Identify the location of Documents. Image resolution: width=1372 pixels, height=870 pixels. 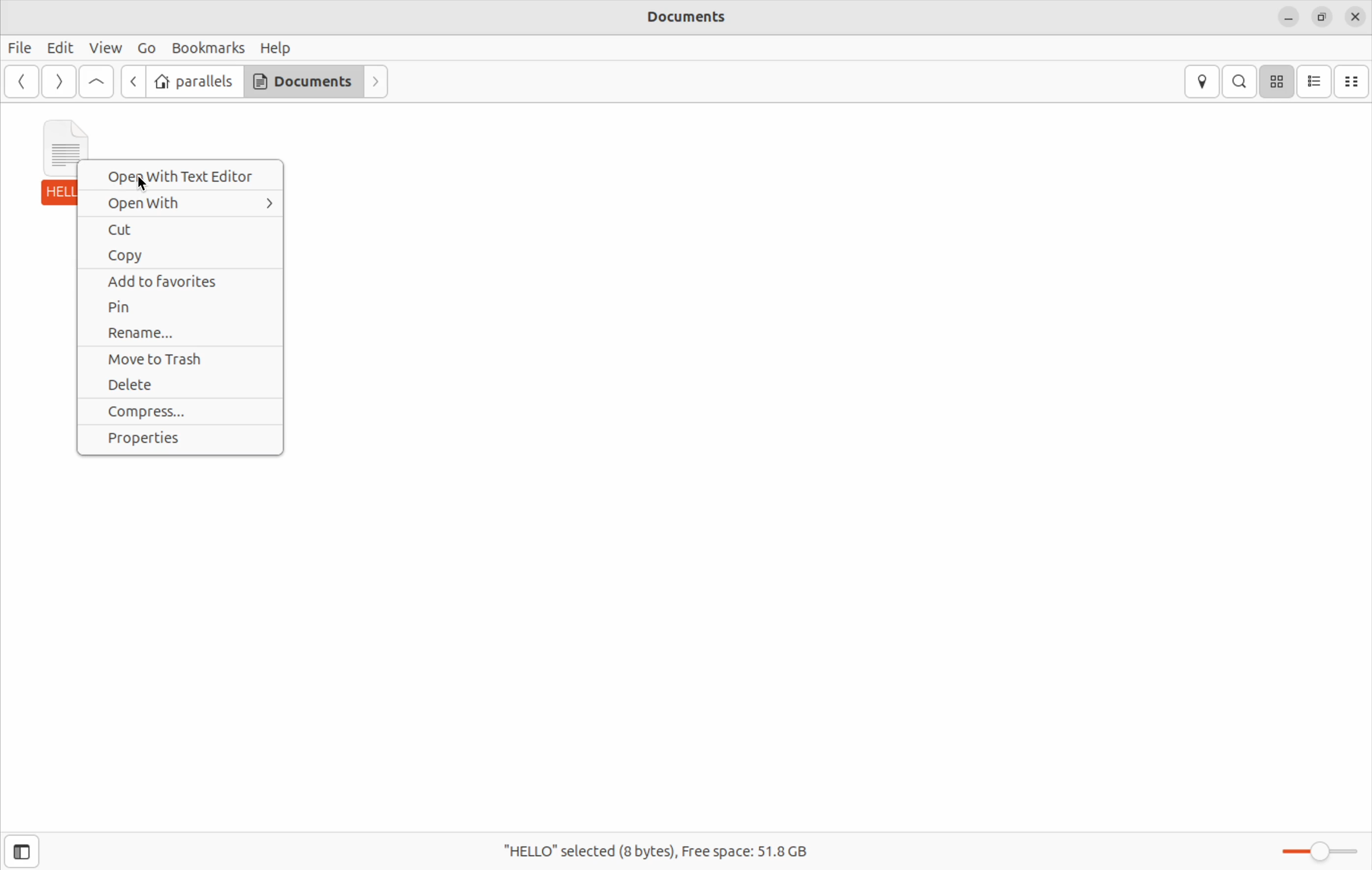
(689, 19).